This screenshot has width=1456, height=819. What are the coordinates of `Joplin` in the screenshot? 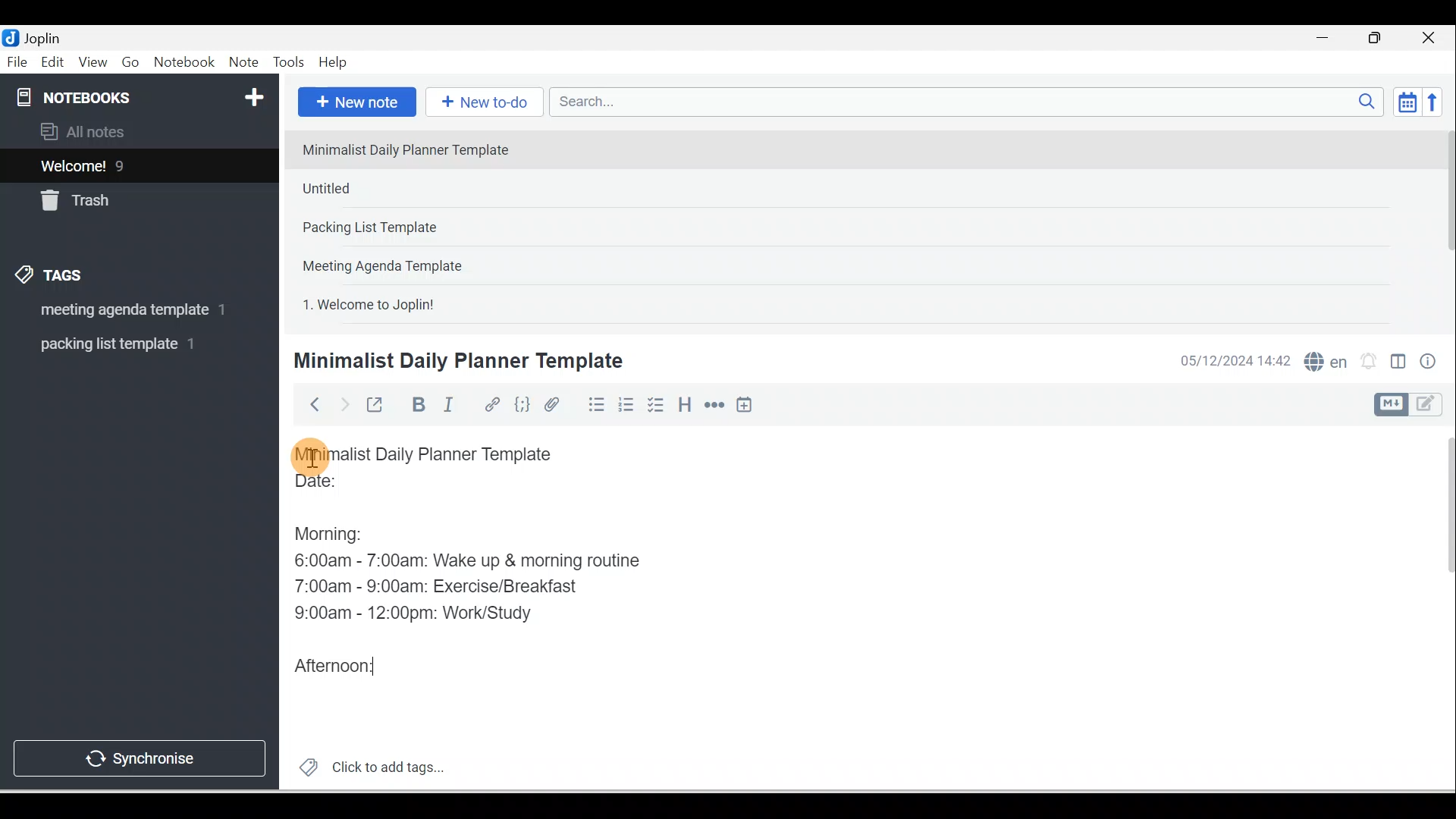 It's located at (46, 36).